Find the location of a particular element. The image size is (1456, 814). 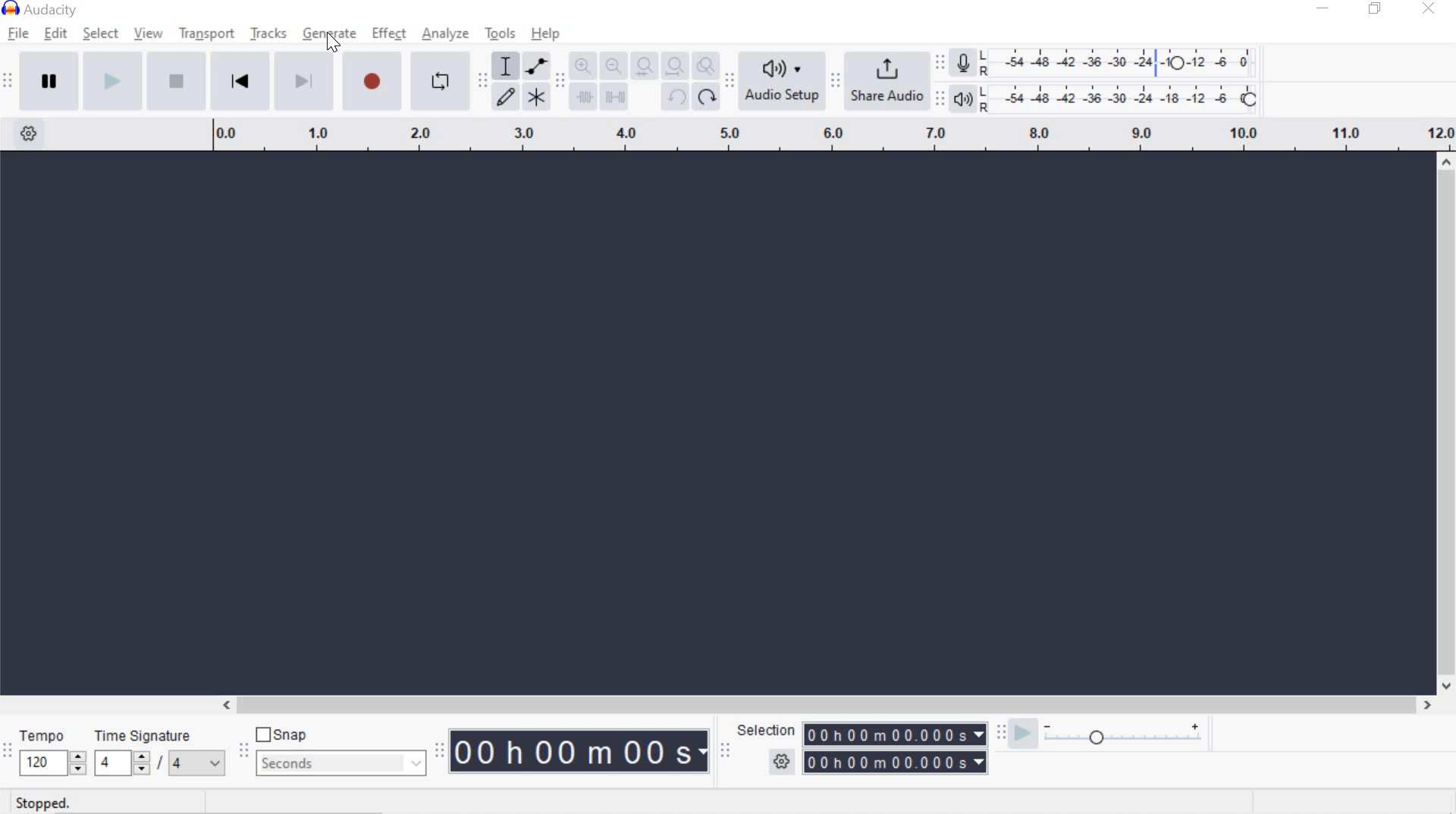

edit is located at coordinates (55, 33).